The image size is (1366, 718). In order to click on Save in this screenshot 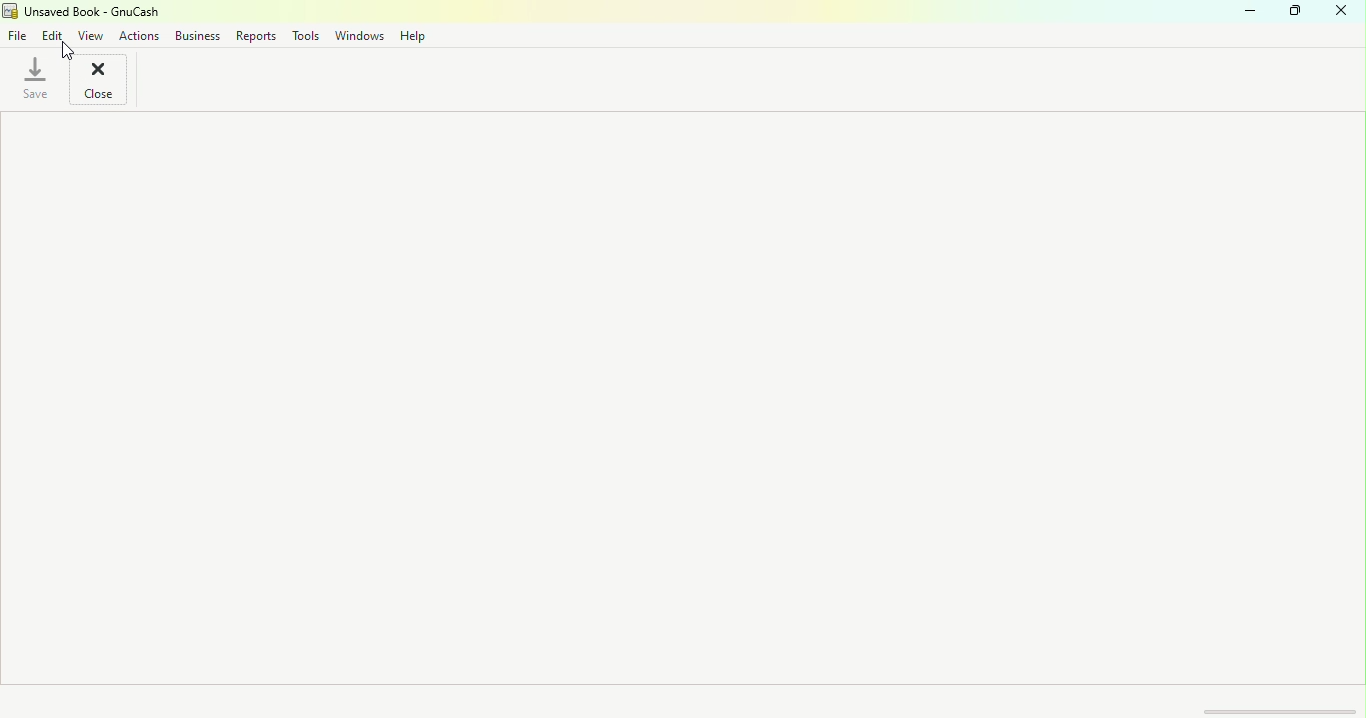, I will do `click(33, 80)`.